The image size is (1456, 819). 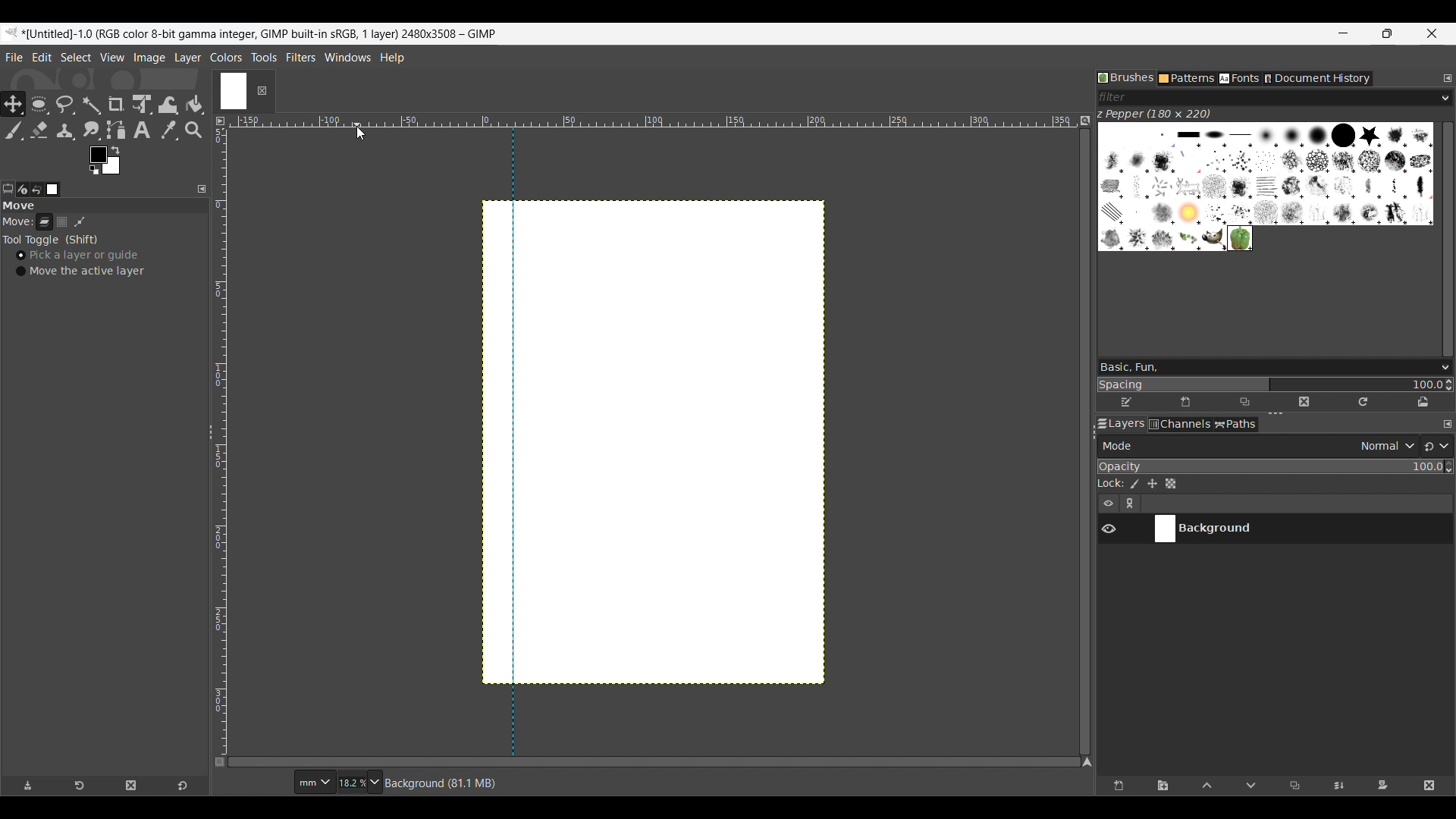 What do you see at coordinates (116, 104) in the screenshot?
I see `Crop tool` at bounding box center [116, 104].